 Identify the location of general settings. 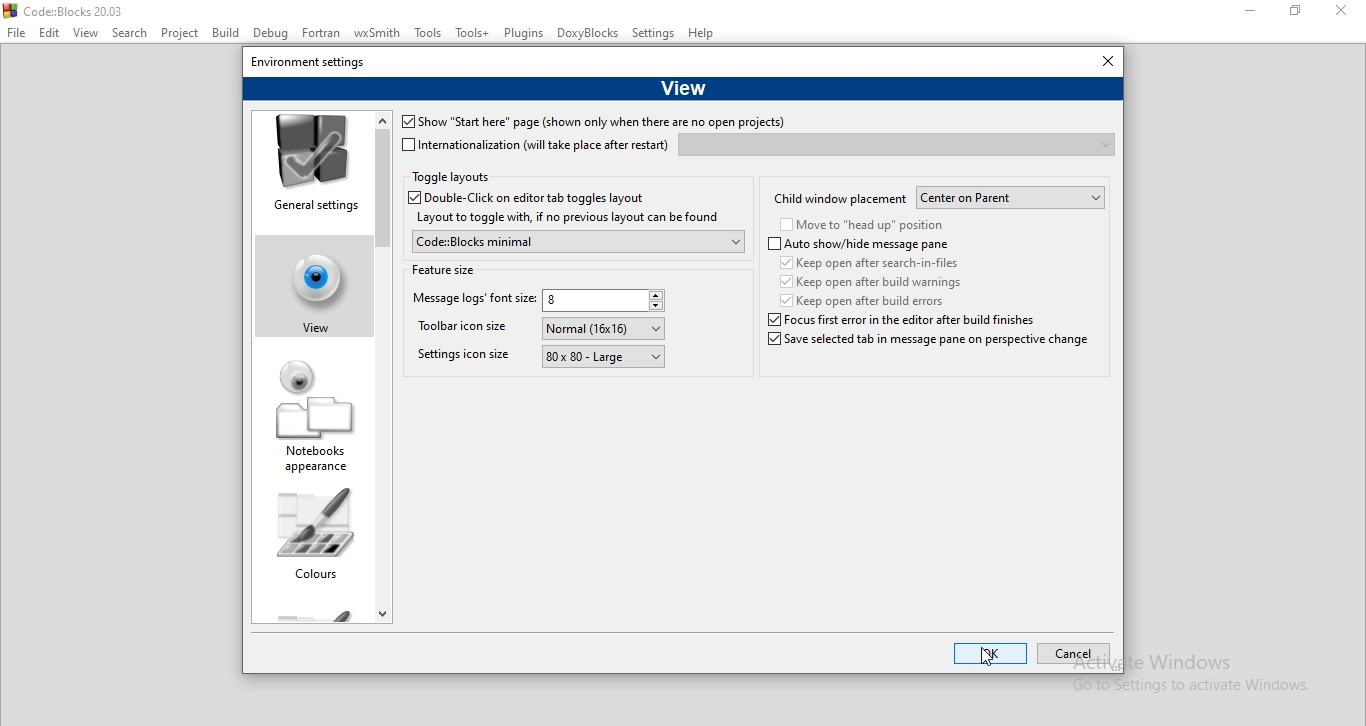
(312, 166).